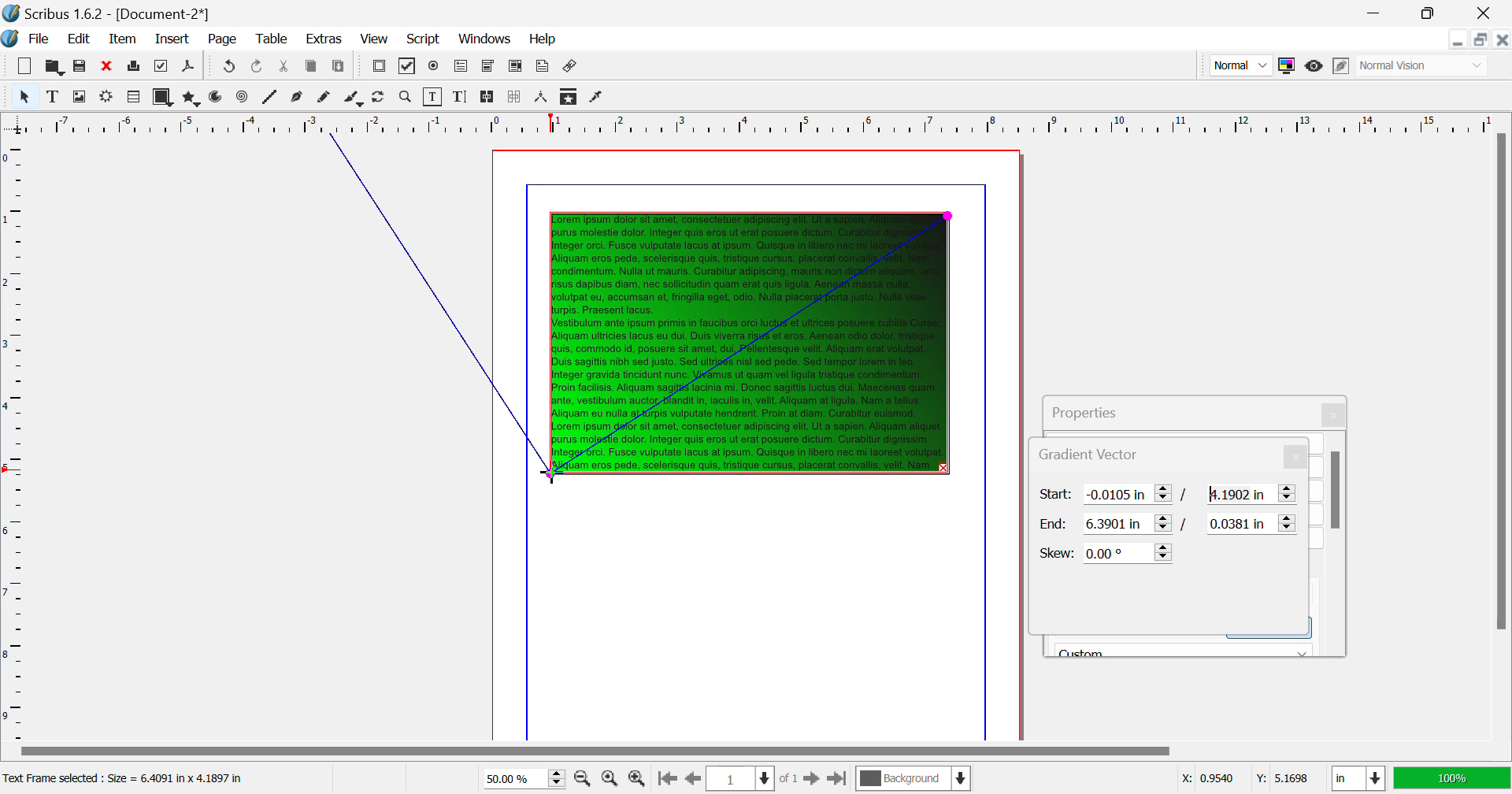 The width and height of the screenshot is (1512, 794). What do you see at coordinates (79, 96) in the screenshot?
I see `Image Frame` at bounding box center [79, 96].